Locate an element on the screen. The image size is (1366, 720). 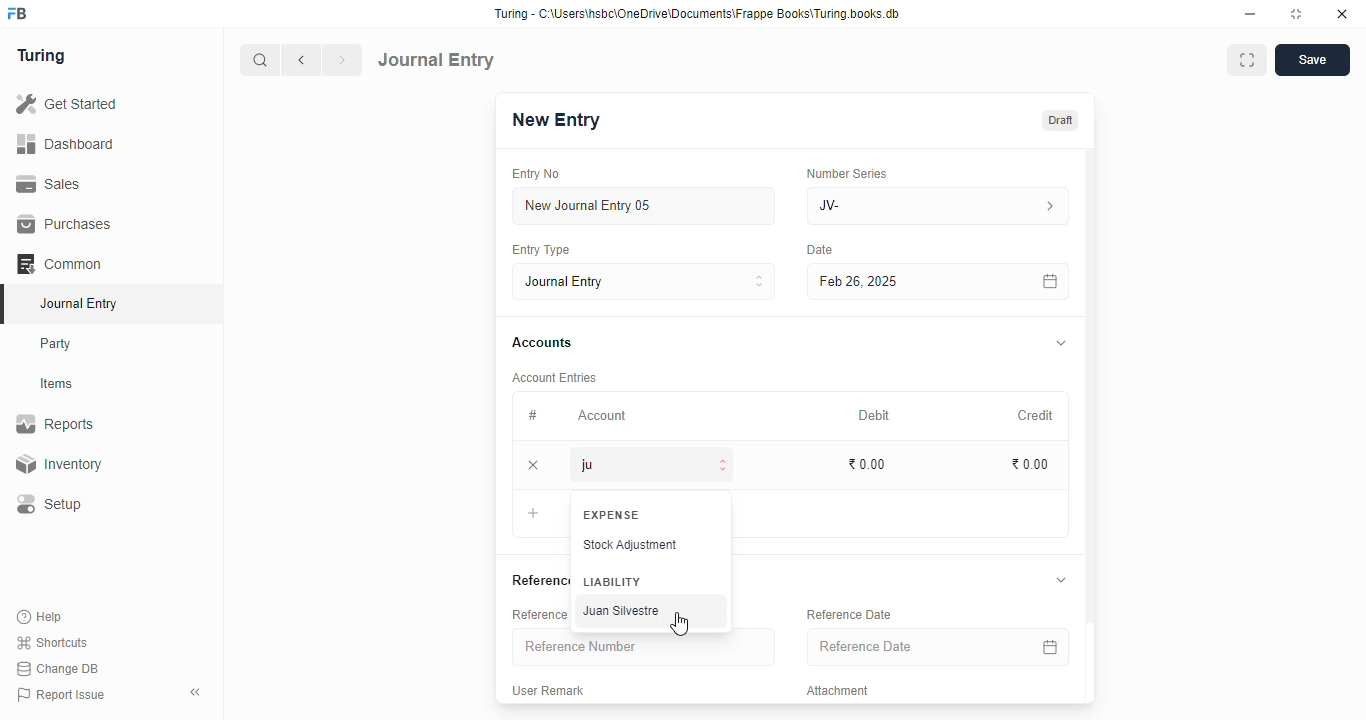
dashboard is located at coordinates (66, 143).